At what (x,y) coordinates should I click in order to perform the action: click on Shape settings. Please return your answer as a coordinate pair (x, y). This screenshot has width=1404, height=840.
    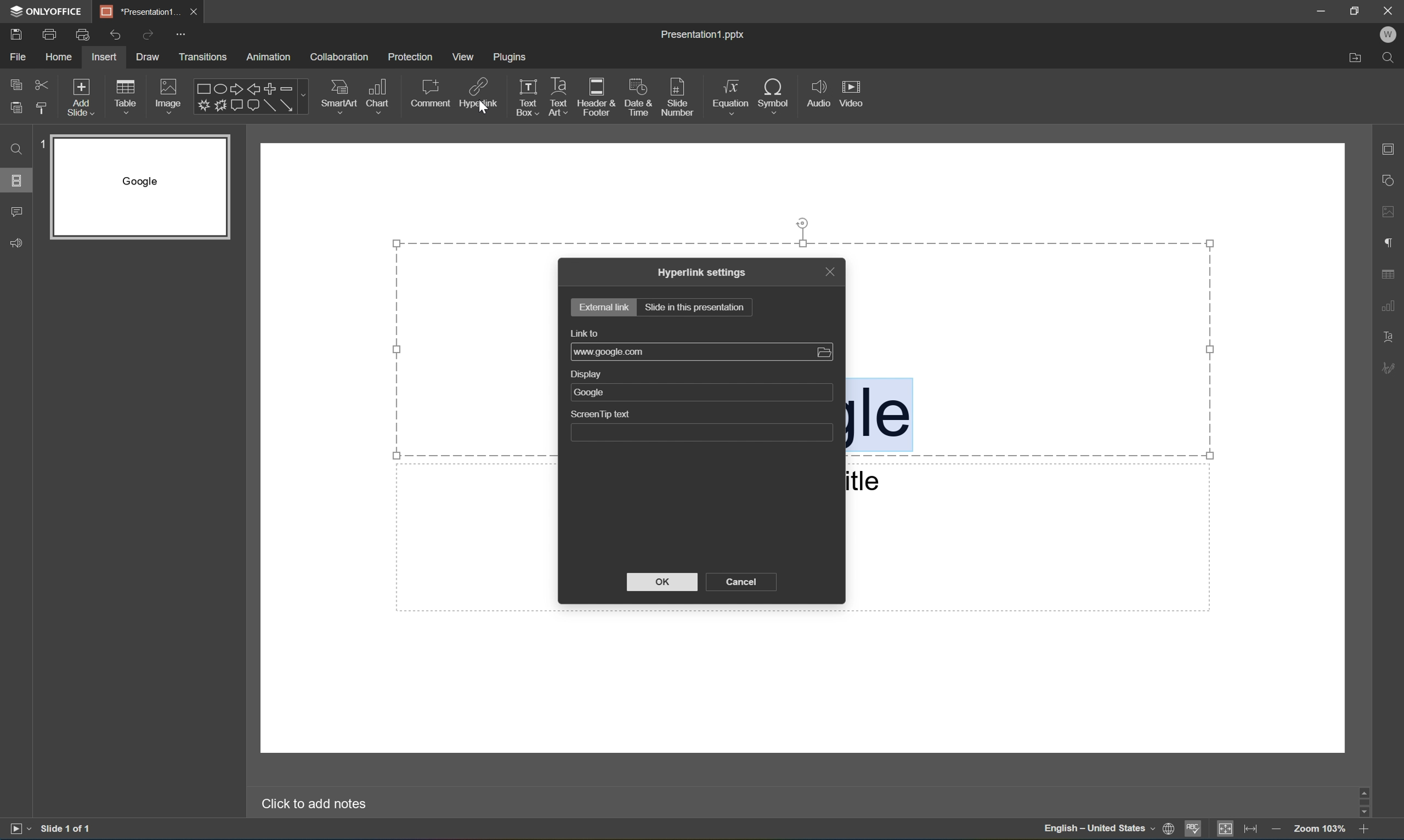
    Looking at the image, I should click on (1390, 181).